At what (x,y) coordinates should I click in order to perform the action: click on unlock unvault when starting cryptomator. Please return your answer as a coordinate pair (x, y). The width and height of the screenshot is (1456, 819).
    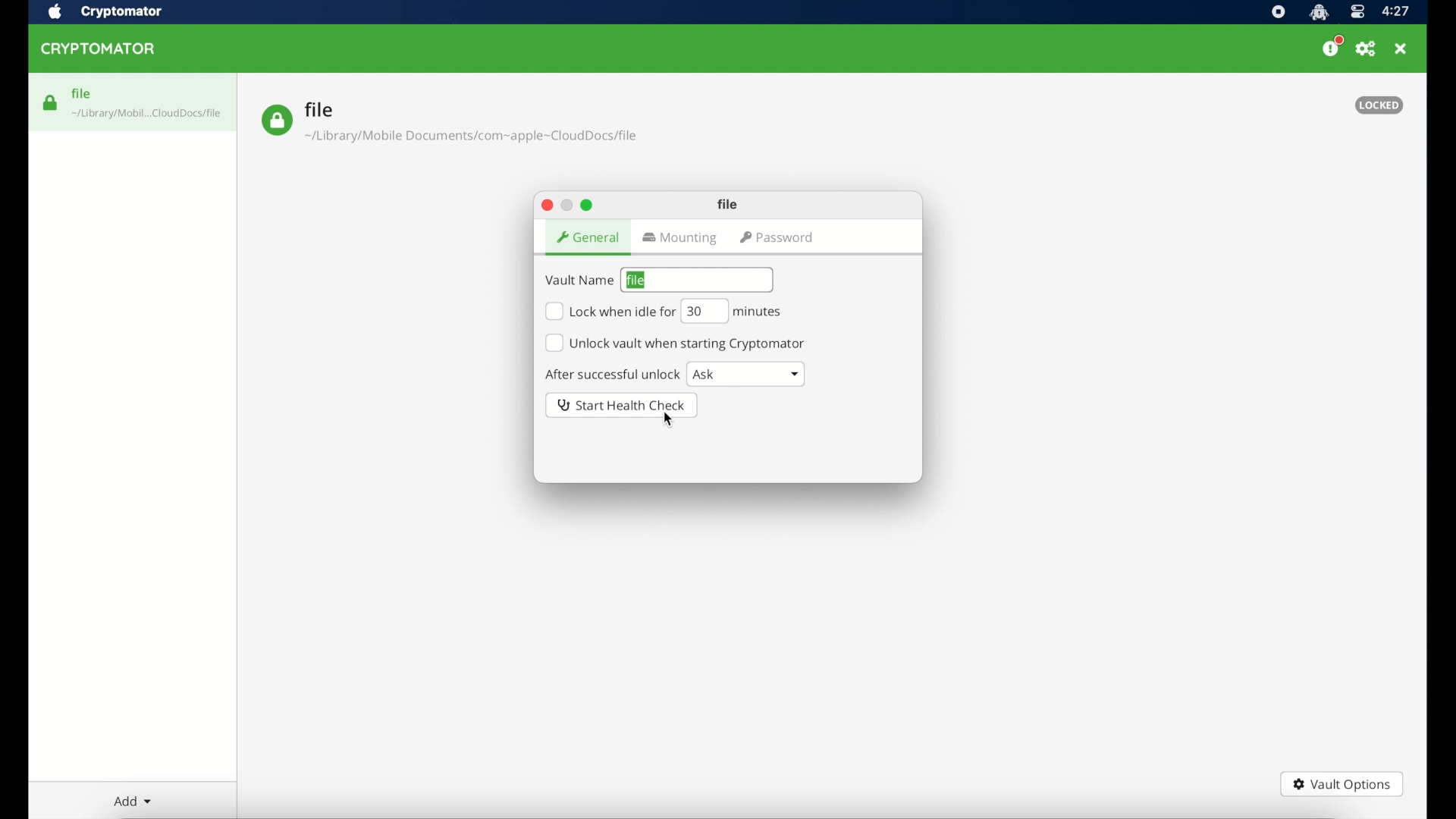
    Looking at the image, I should click on (676, 343).